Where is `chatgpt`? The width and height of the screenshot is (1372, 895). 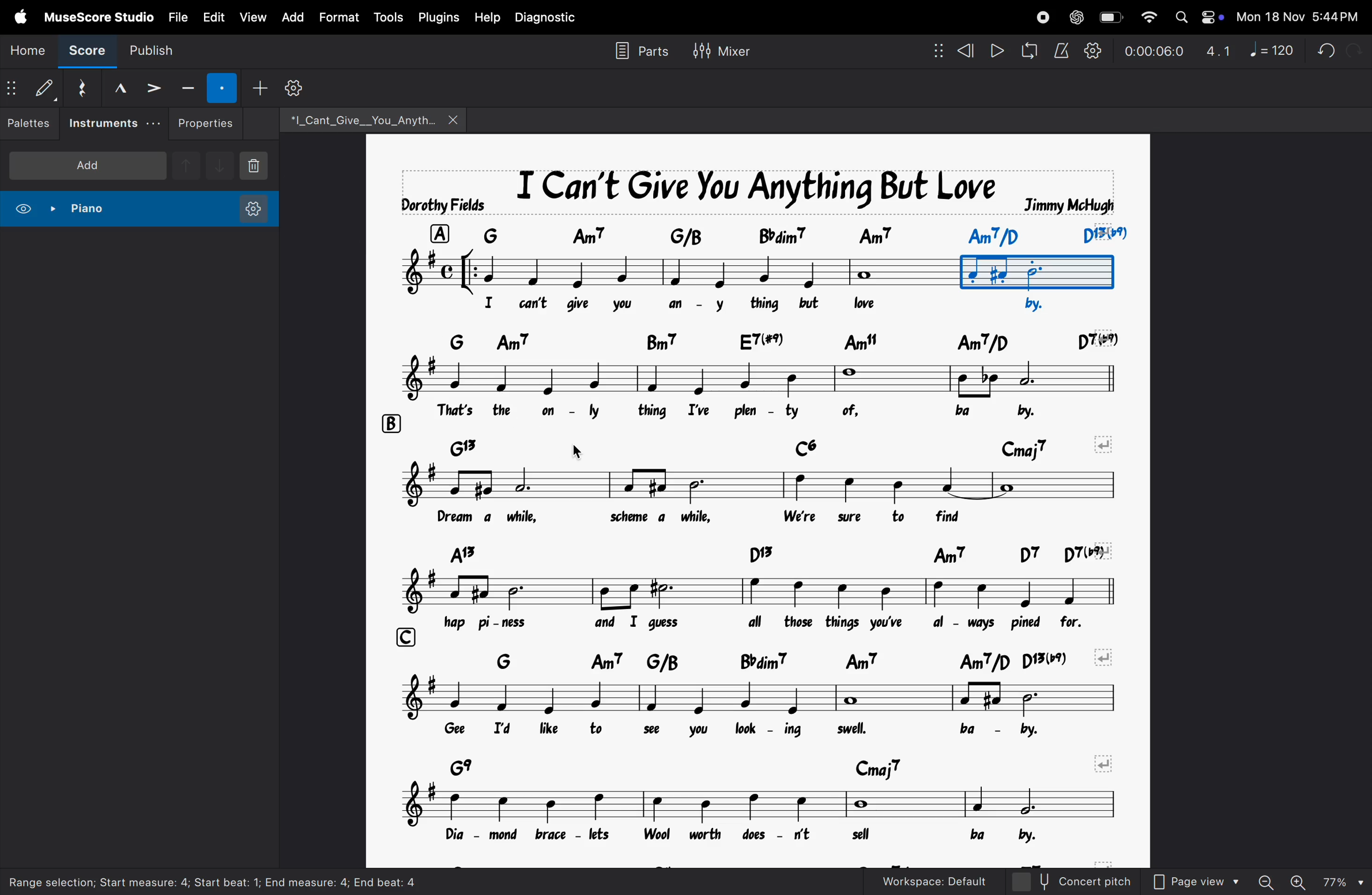
chatgpt is located at coordinates (1075, 16).